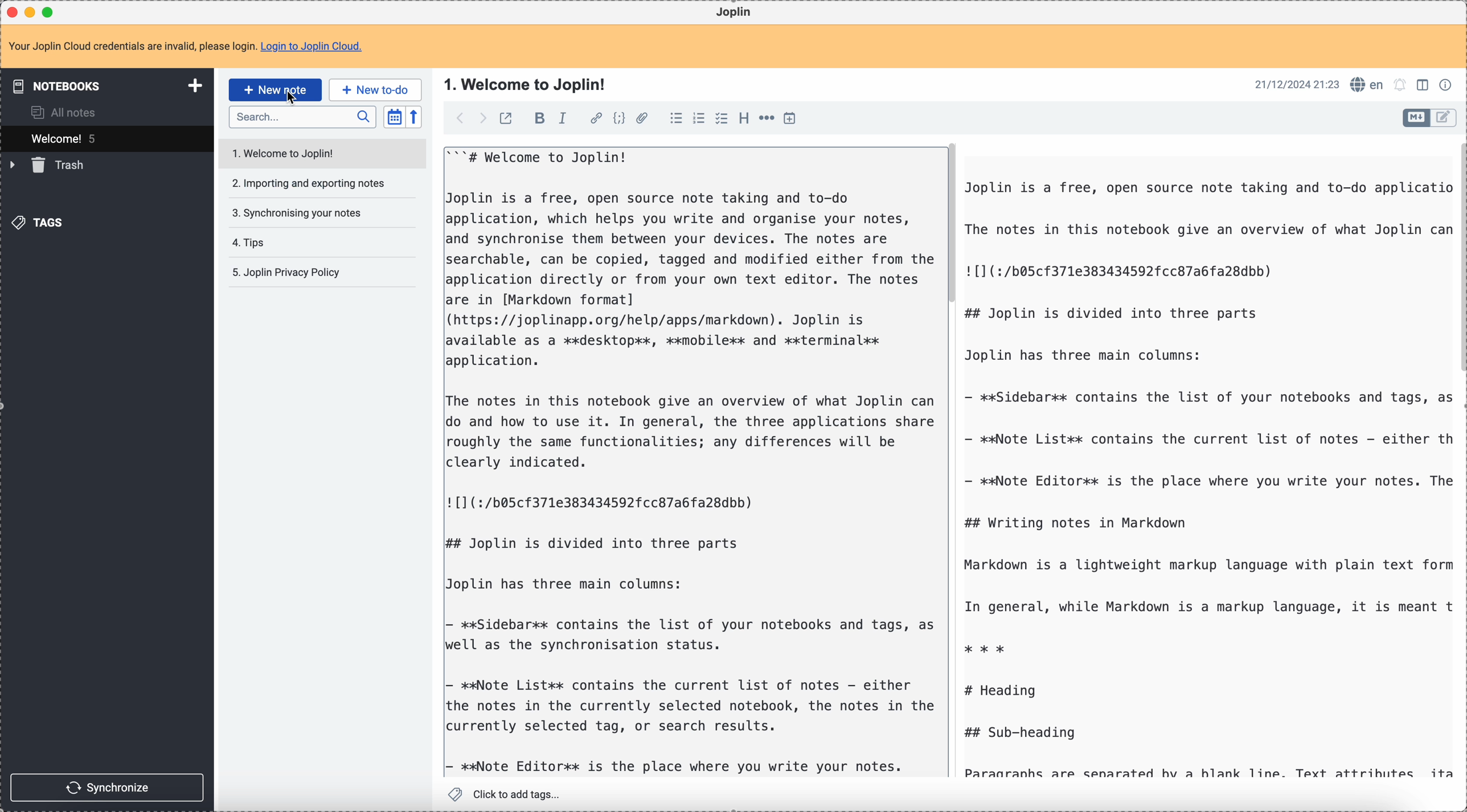 This screenshot has height=812, width=1467. Describe the element at coordinates (952, 224) in the screenshot. I see `scroll bar` at that location.